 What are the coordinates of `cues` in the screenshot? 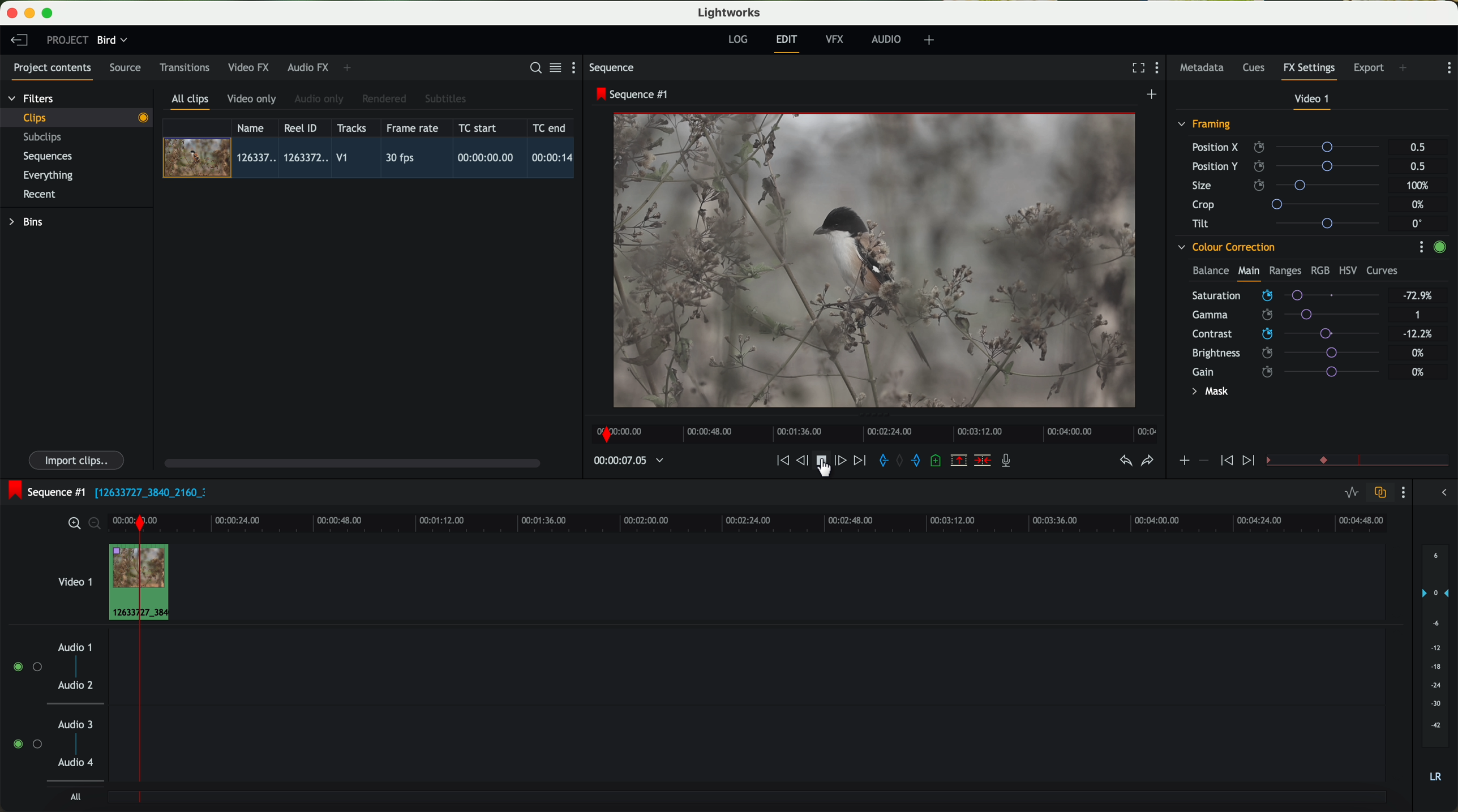 It's located at (1257, 68).